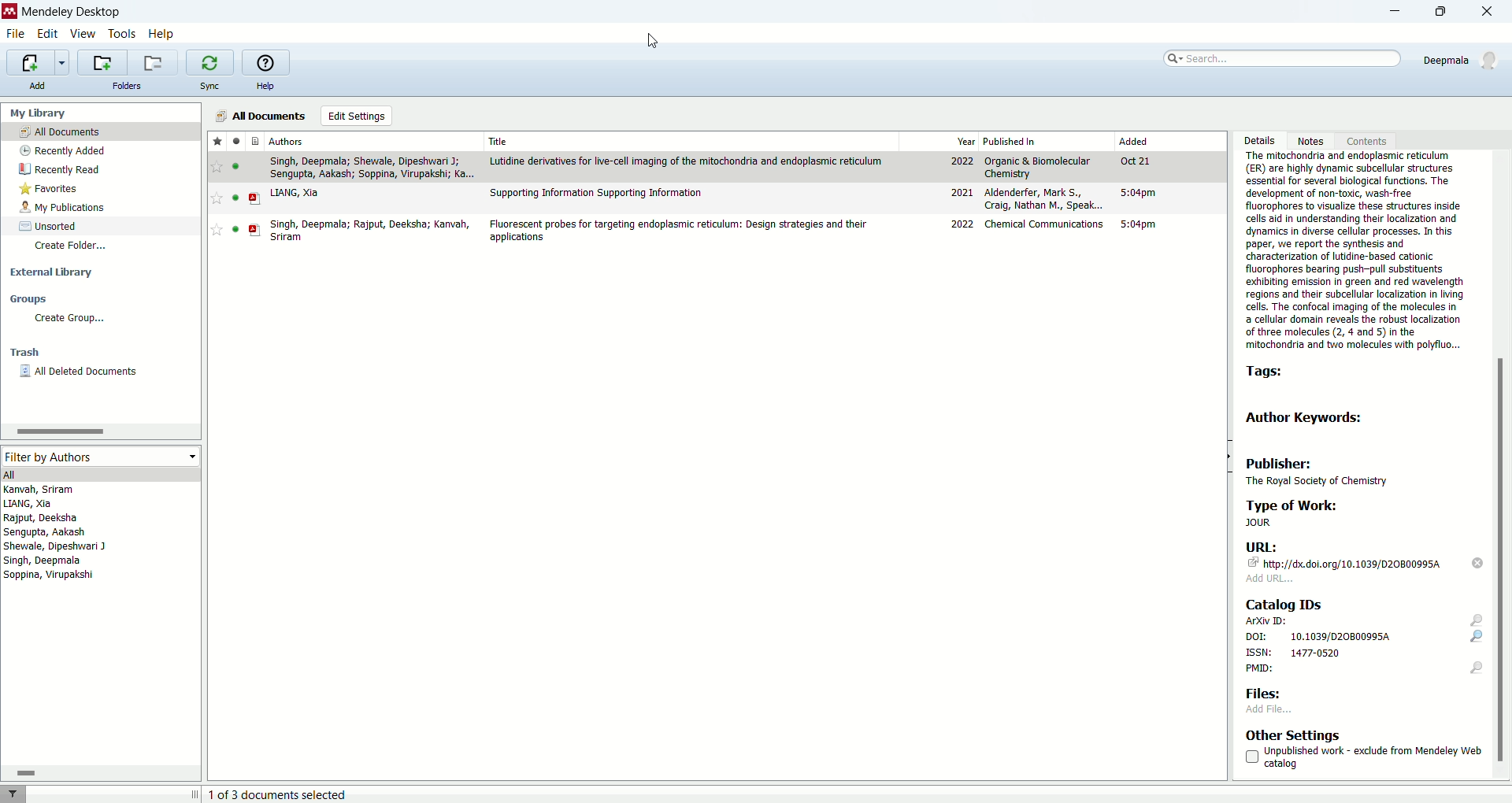 The height and width of the screenshot is (803, 1512). What do you see at coordinates (1308, 417) in the screenshot?
I see `author keywords: ` at bounding box center [1308, 417].